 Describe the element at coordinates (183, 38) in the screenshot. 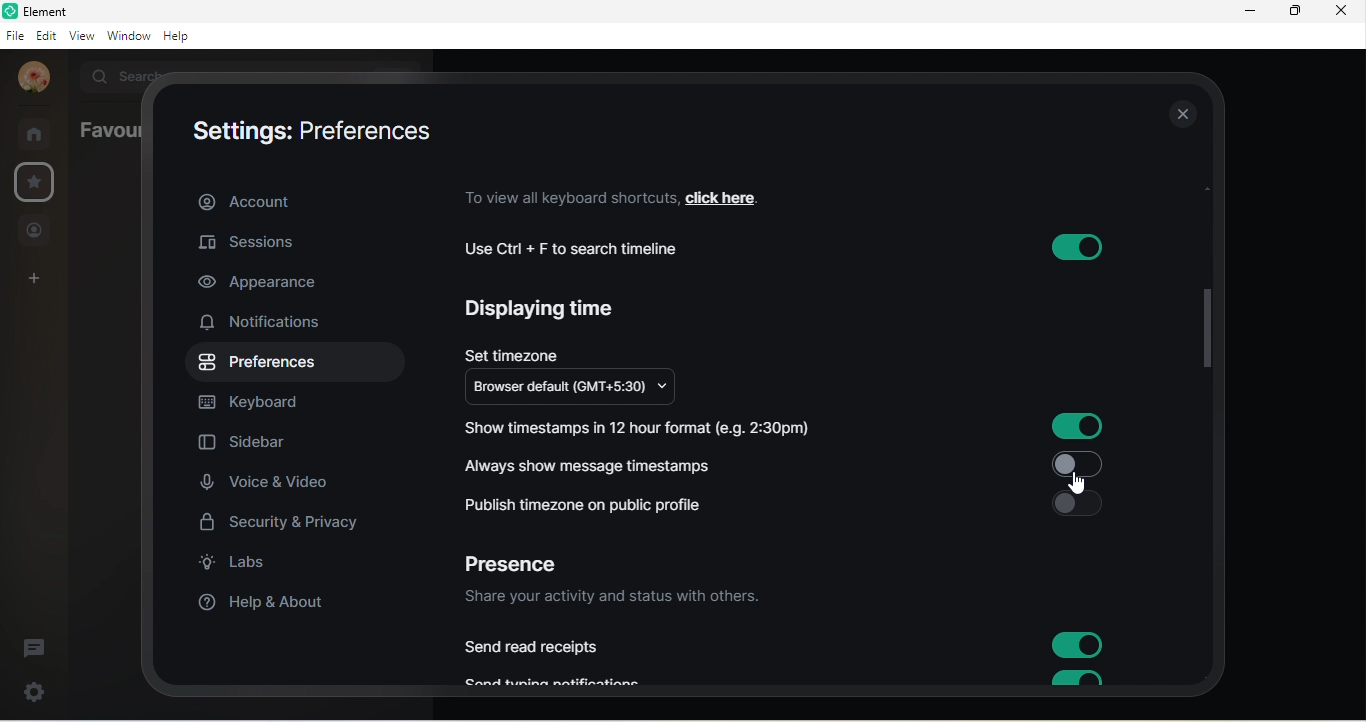

I see `help` at that location.